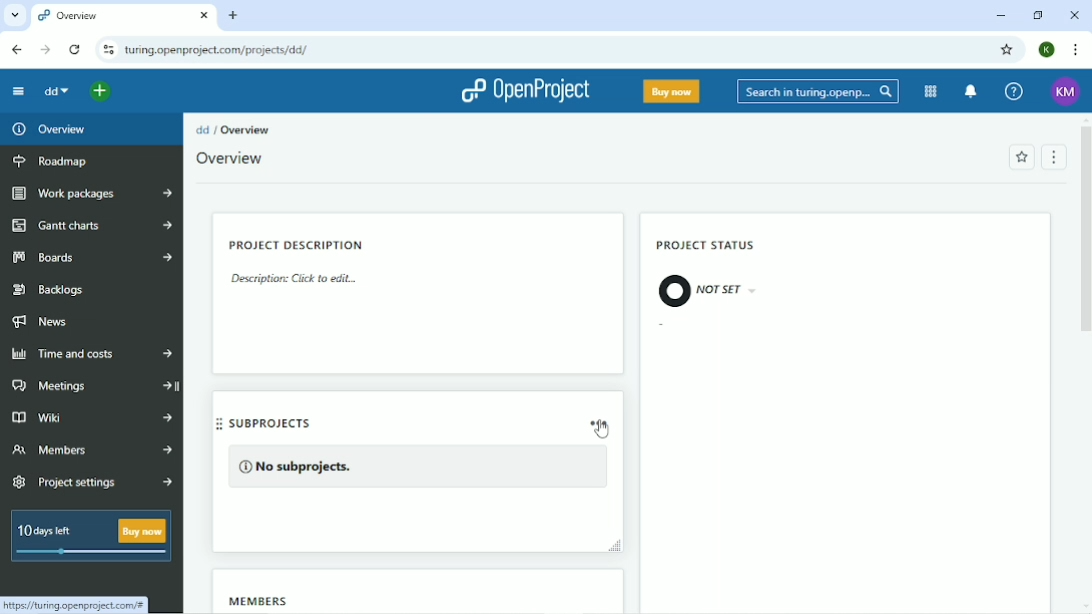 The width and height of the screenshot is (1092, 614). What do you see at coordinates (672, 92) in the screenshot?
I see `Buy now` at bounding box center [672, 92].